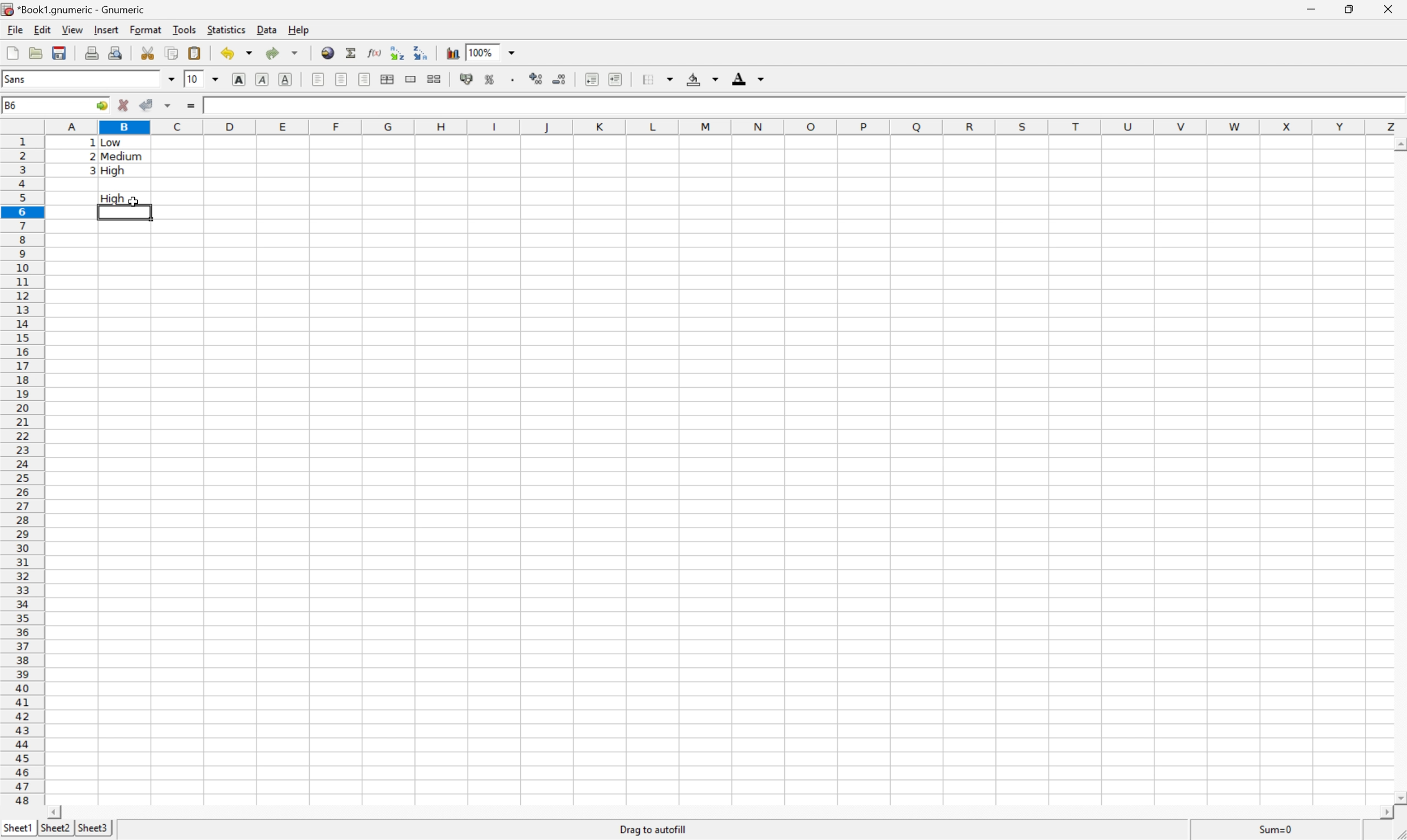 The height and width of the screenshot is (840, 1407). Describe the element at coordinates (117, 143) in the screenshot. I see `Low` at that location.